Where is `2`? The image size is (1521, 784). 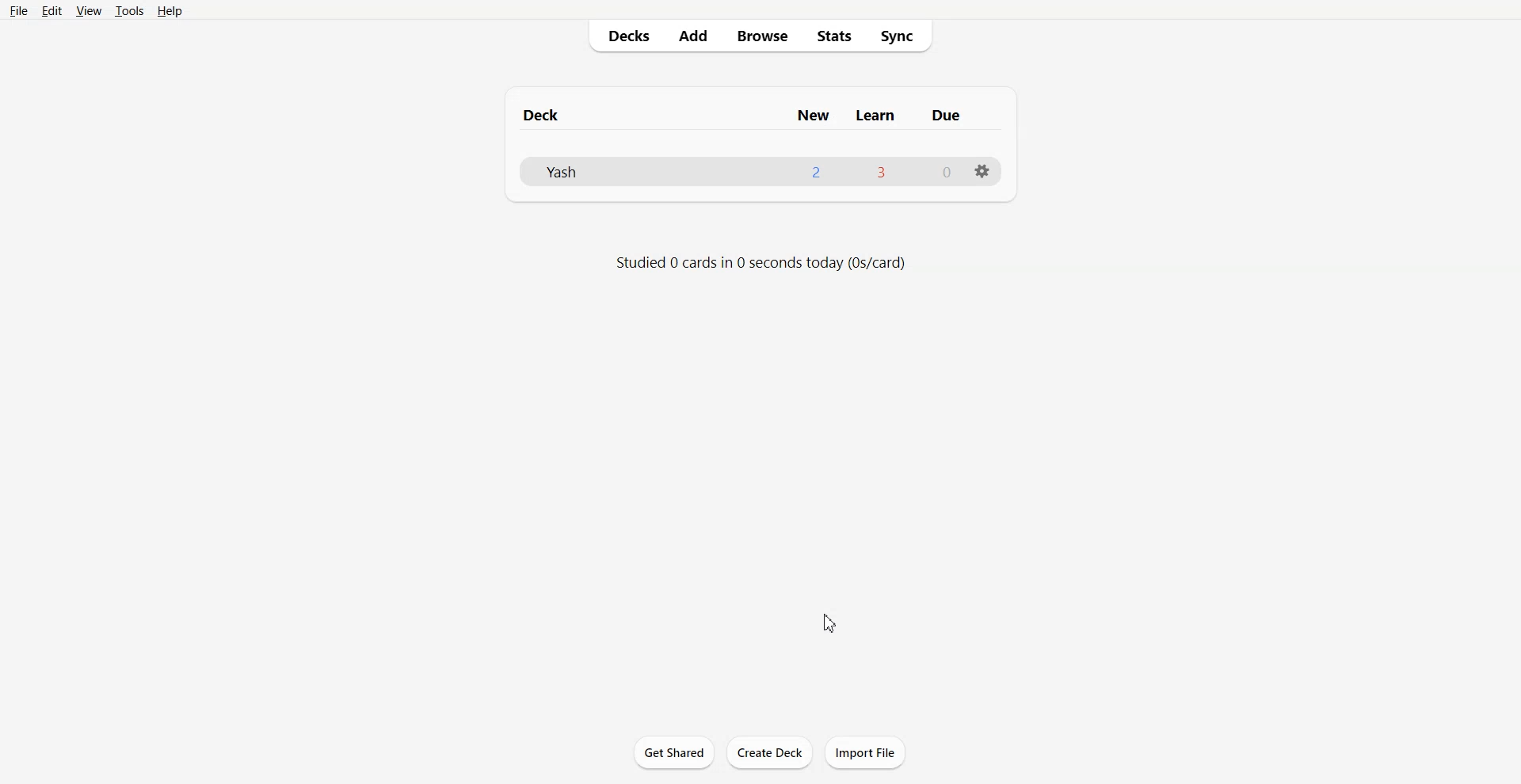 2 is located at coordinates (816, 172).